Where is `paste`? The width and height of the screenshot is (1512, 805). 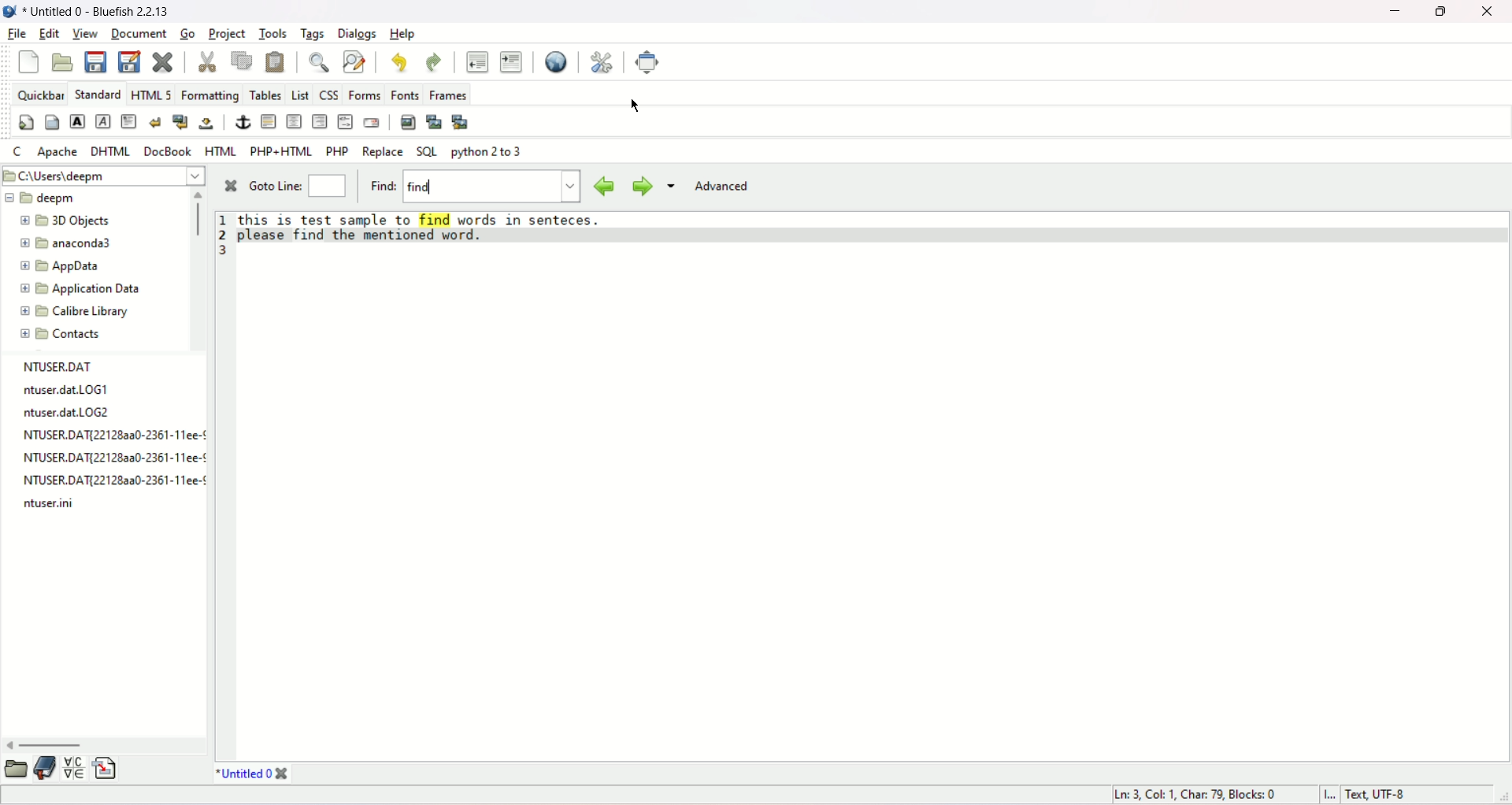
paste is located at coordinates (276, 63).